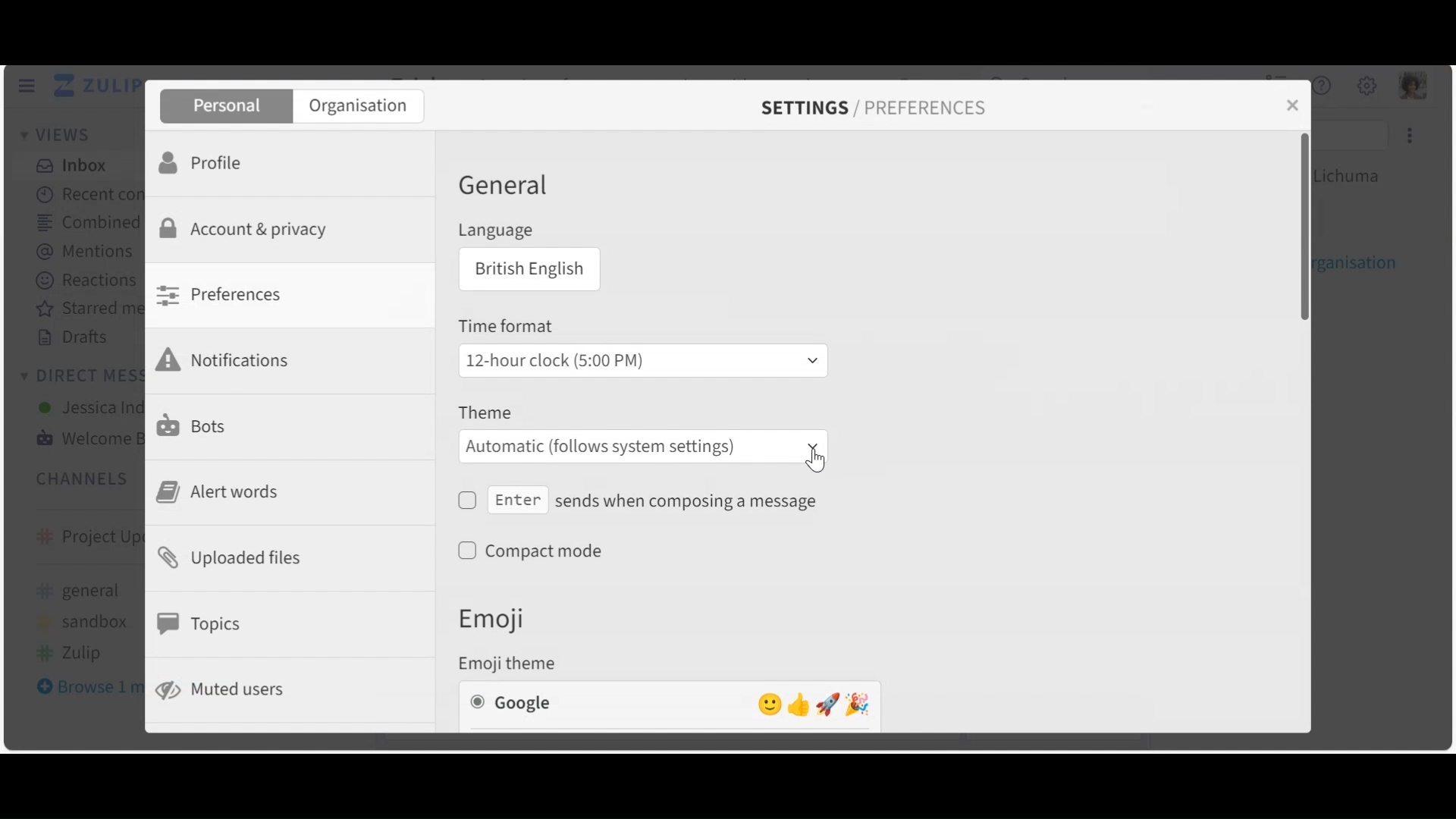  What do you see at coordinates (1291, 106) in the screenshot?
I see `Close` at bounding box center [1291, 106].